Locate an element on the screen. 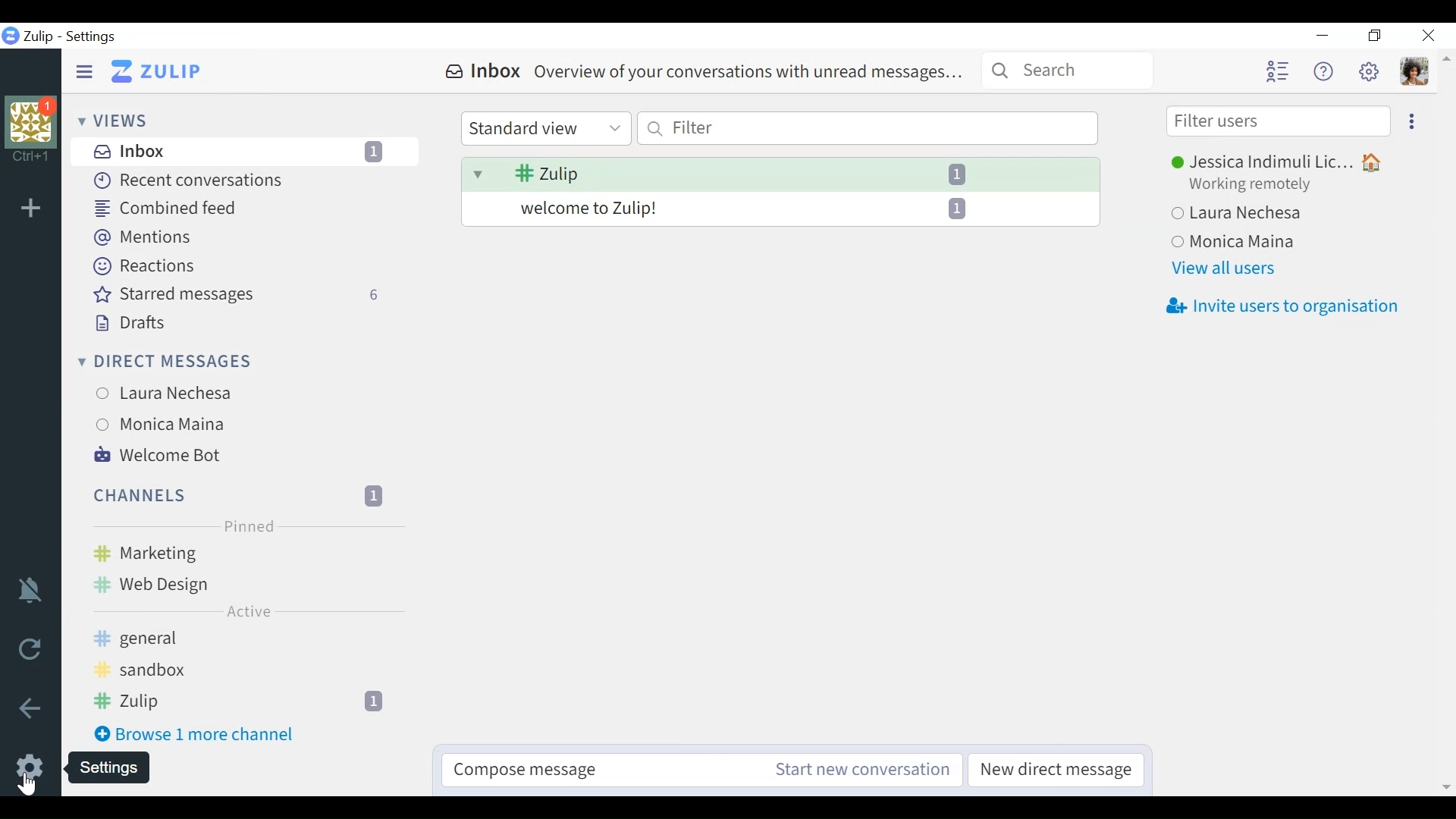 Image resolution: width=1456 pixels, height=819 pixels. #Channel is located at coordinates (246, 671).